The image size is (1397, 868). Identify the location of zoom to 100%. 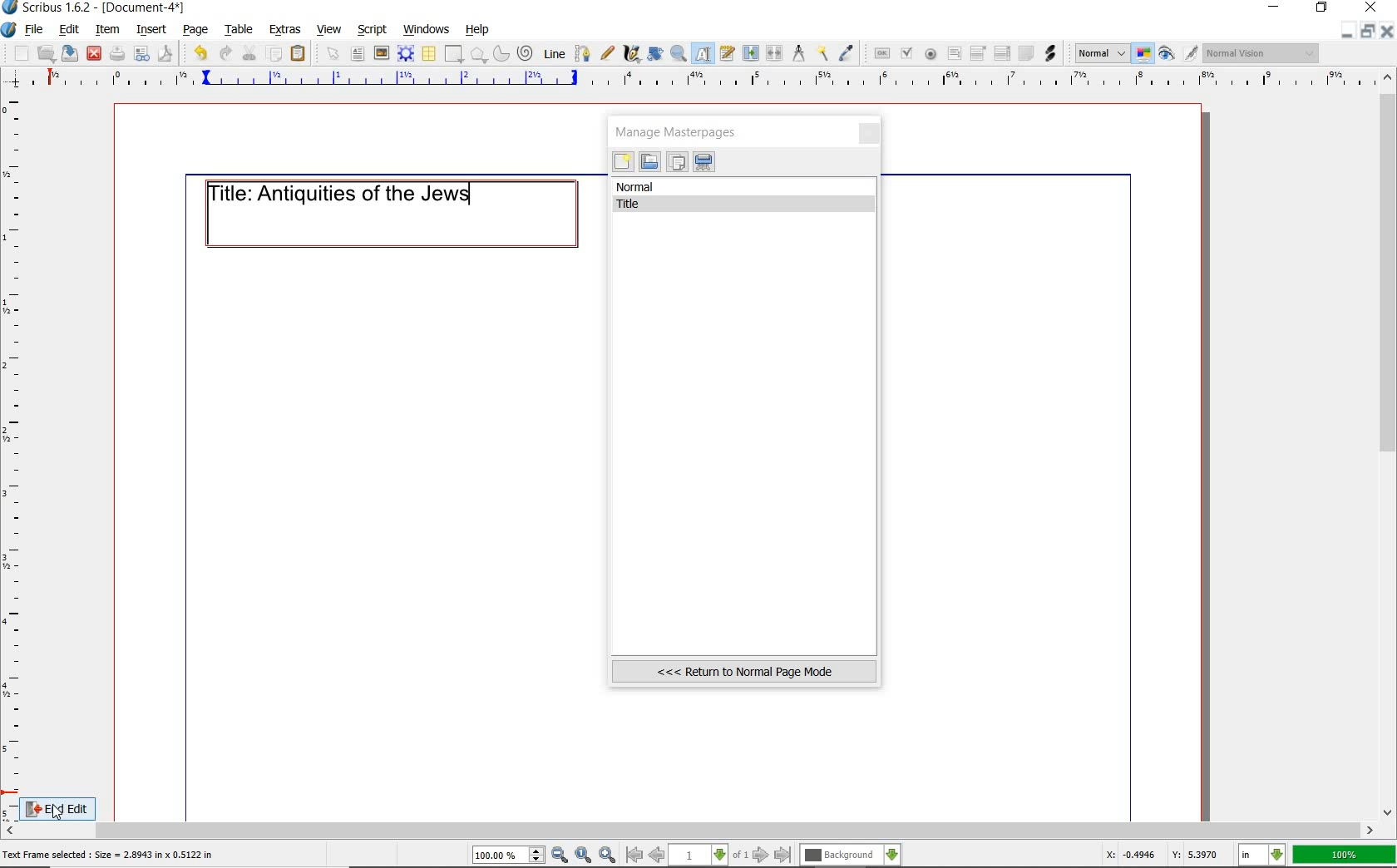
(585, 856).